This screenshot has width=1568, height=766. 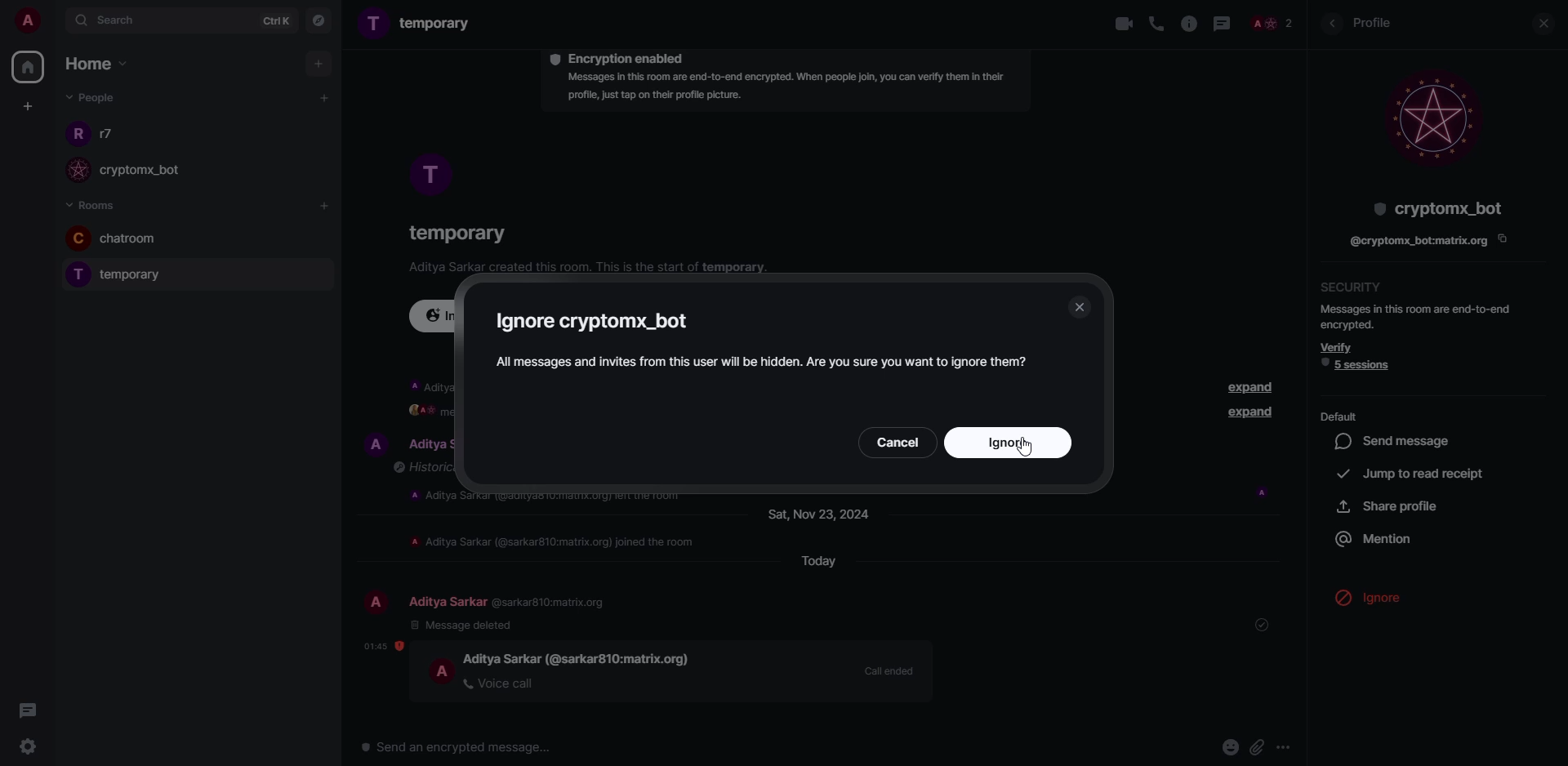 What do you see at coordinates (1376, 609) in the screenshot?
I see `cursor` at bounding box center [1376, 609].